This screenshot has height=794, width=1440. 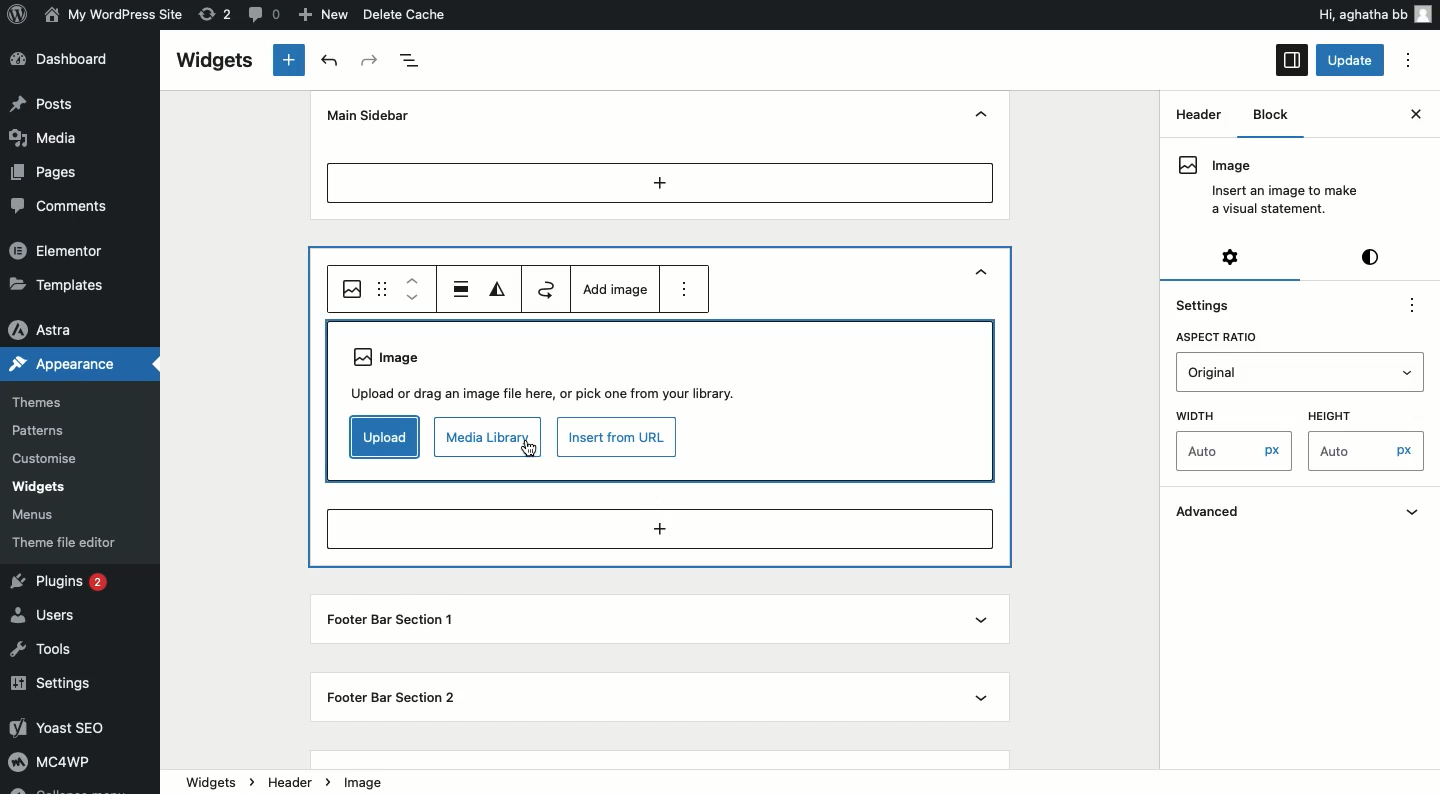 What do you see at coordinates (1235, 452) in the screenshot?
I see `` at bounding box center [1235, 452].